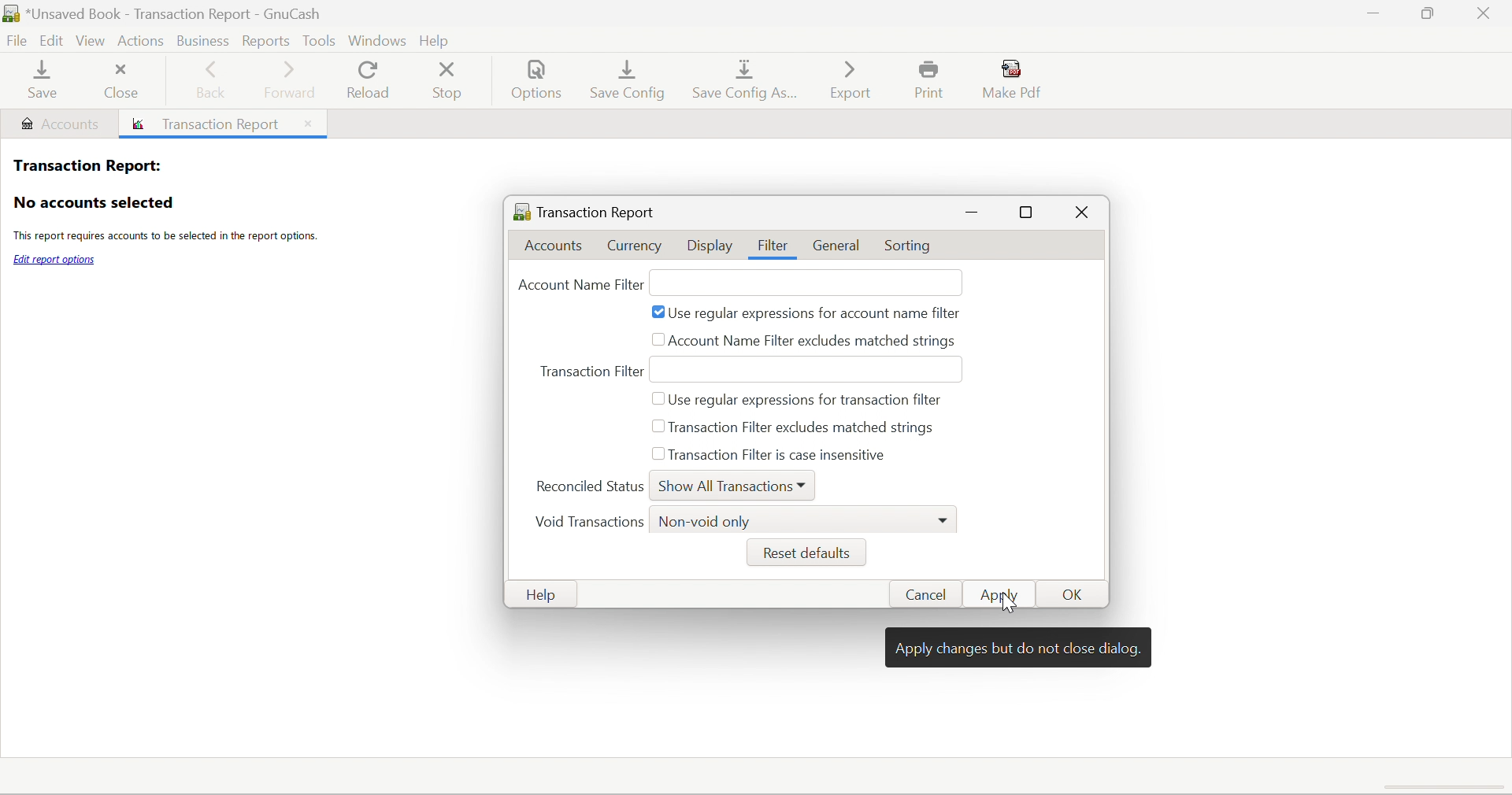 The width and height of the screenshot is (1512, 795). What do you see at coordinates (210, 125) in the screenshot?
I see `Transaction report` at bounding box center [210, 125].